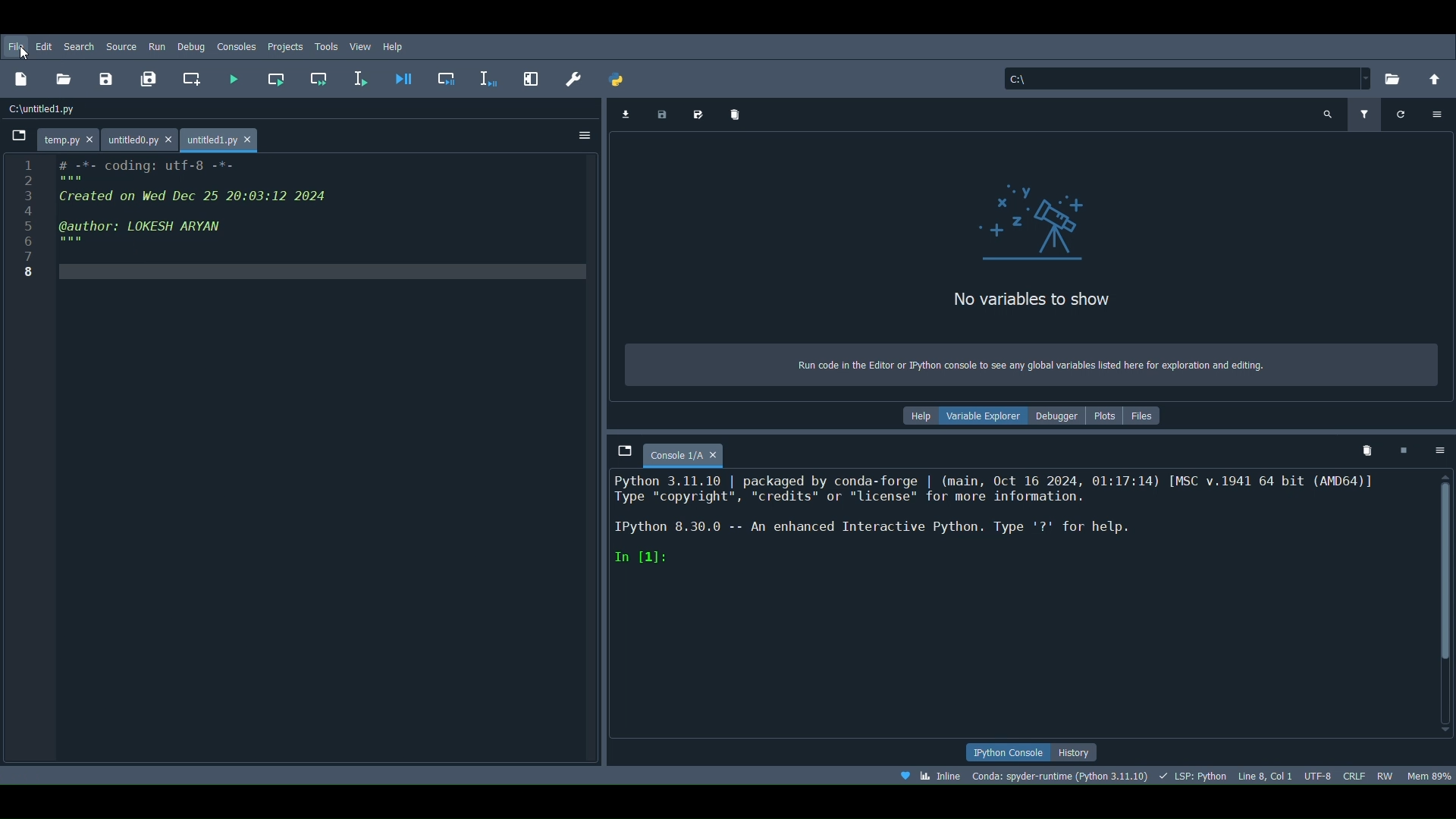 The image size is (1456, 819). What do you see at coordinates (237, 47) in the screenshot?
I see `Consoles` at bounding box center [237, 47].